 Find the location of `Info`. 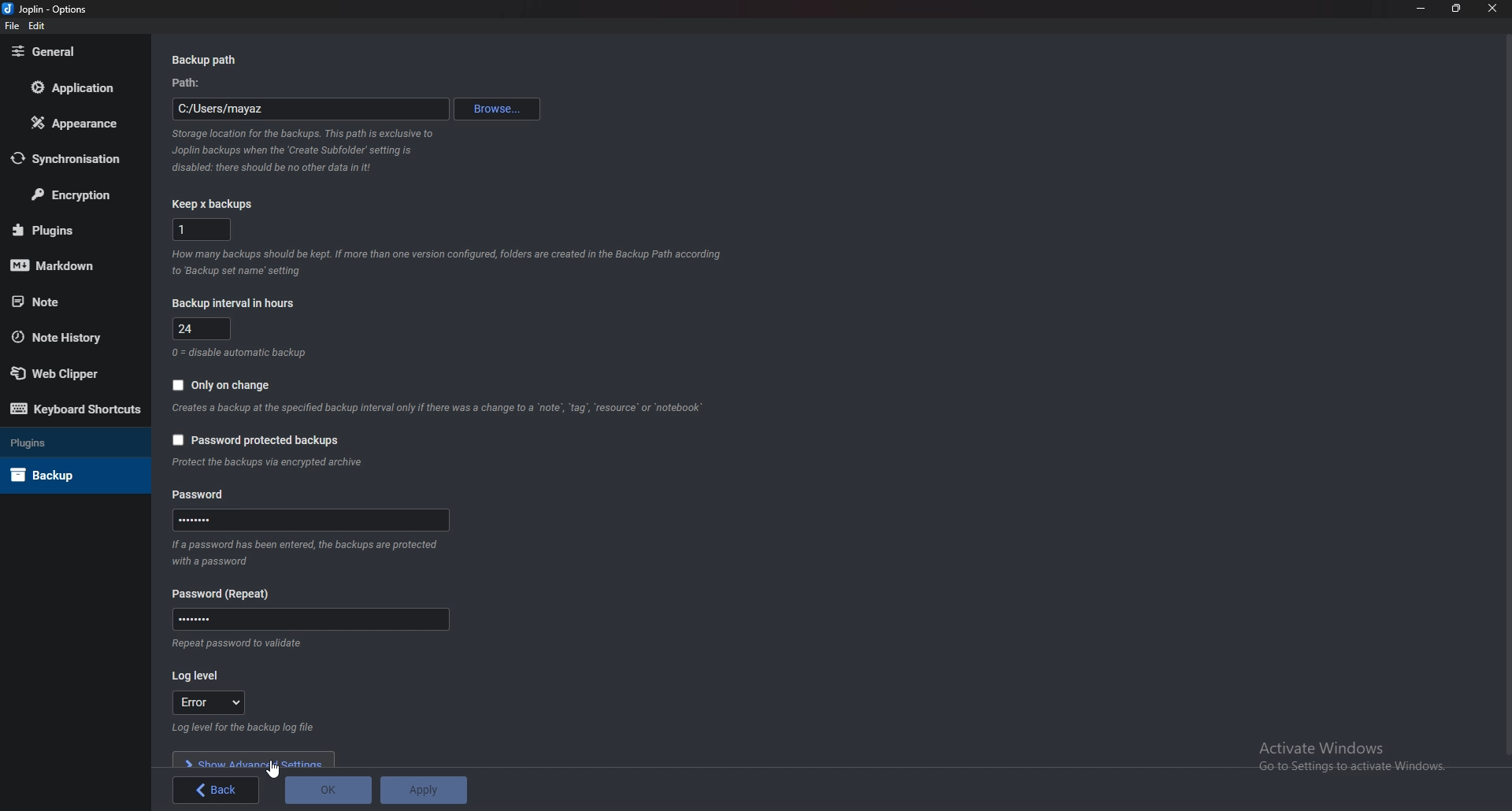

Info is located at coordinates (243, 350).